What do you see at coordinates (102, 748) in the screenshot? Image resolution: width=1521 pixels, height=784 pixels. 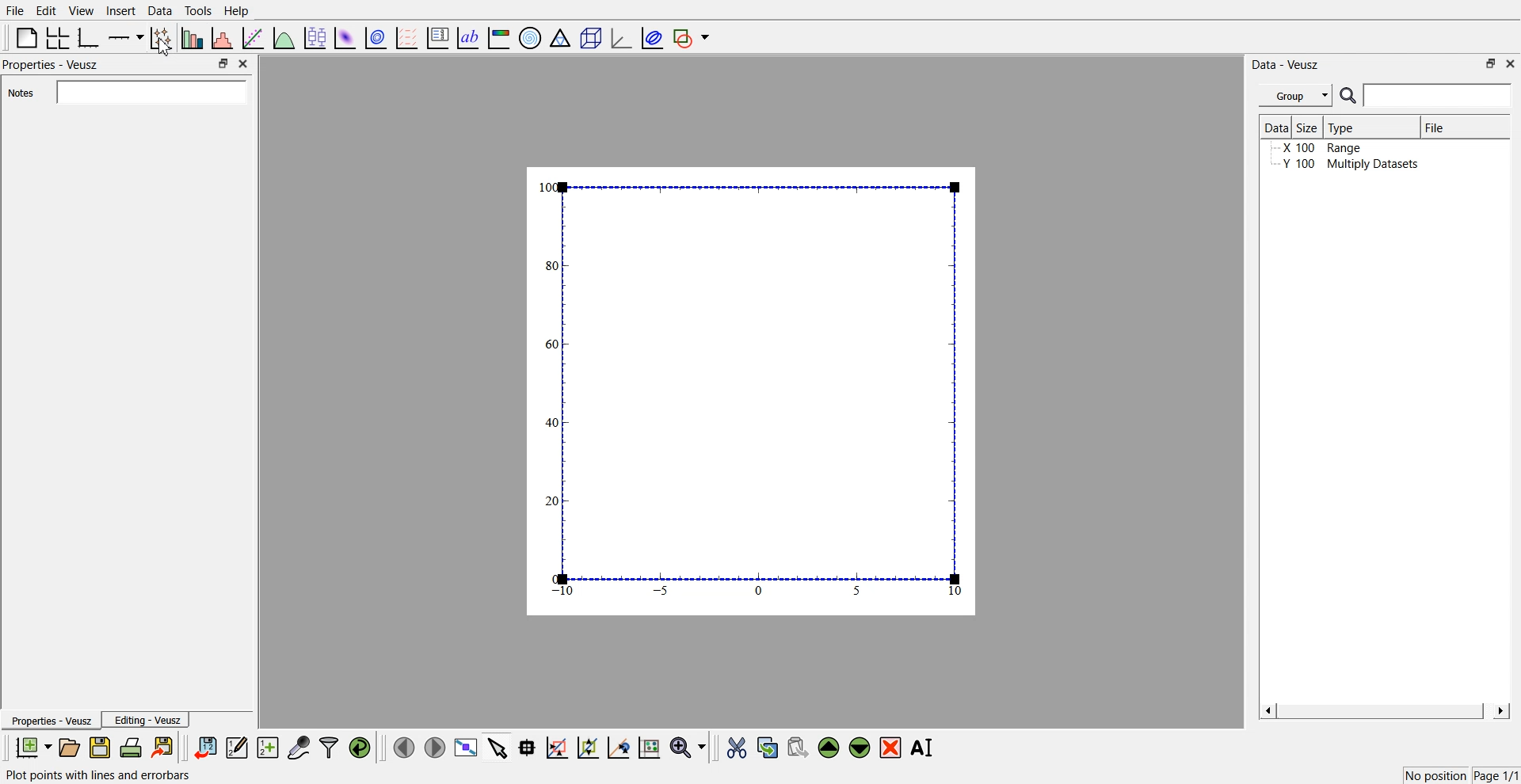 I see `save` at bounding box center [102, 748].